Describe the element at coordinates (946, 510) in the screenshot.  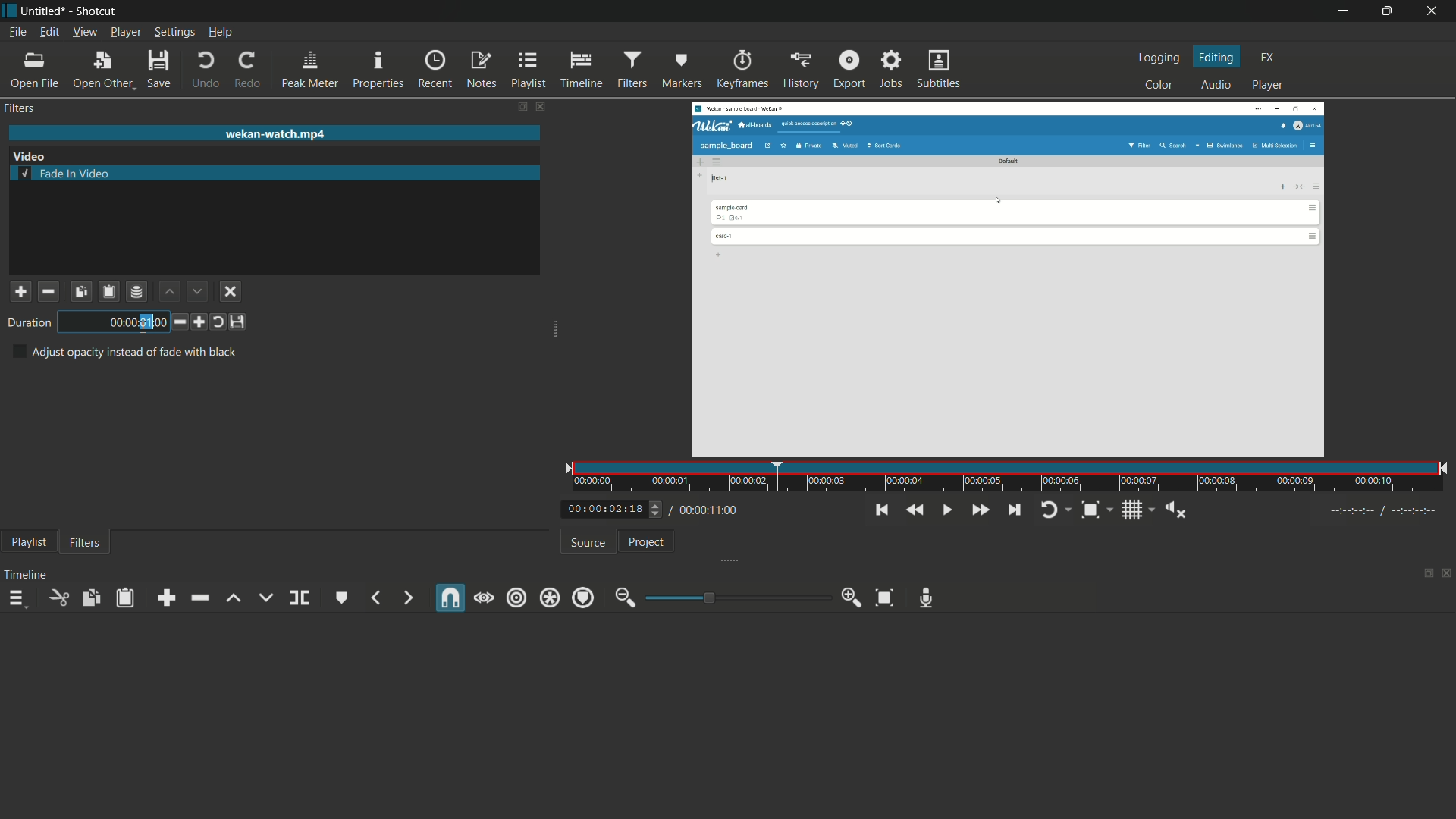
I see `toggle play or pause` at that location.